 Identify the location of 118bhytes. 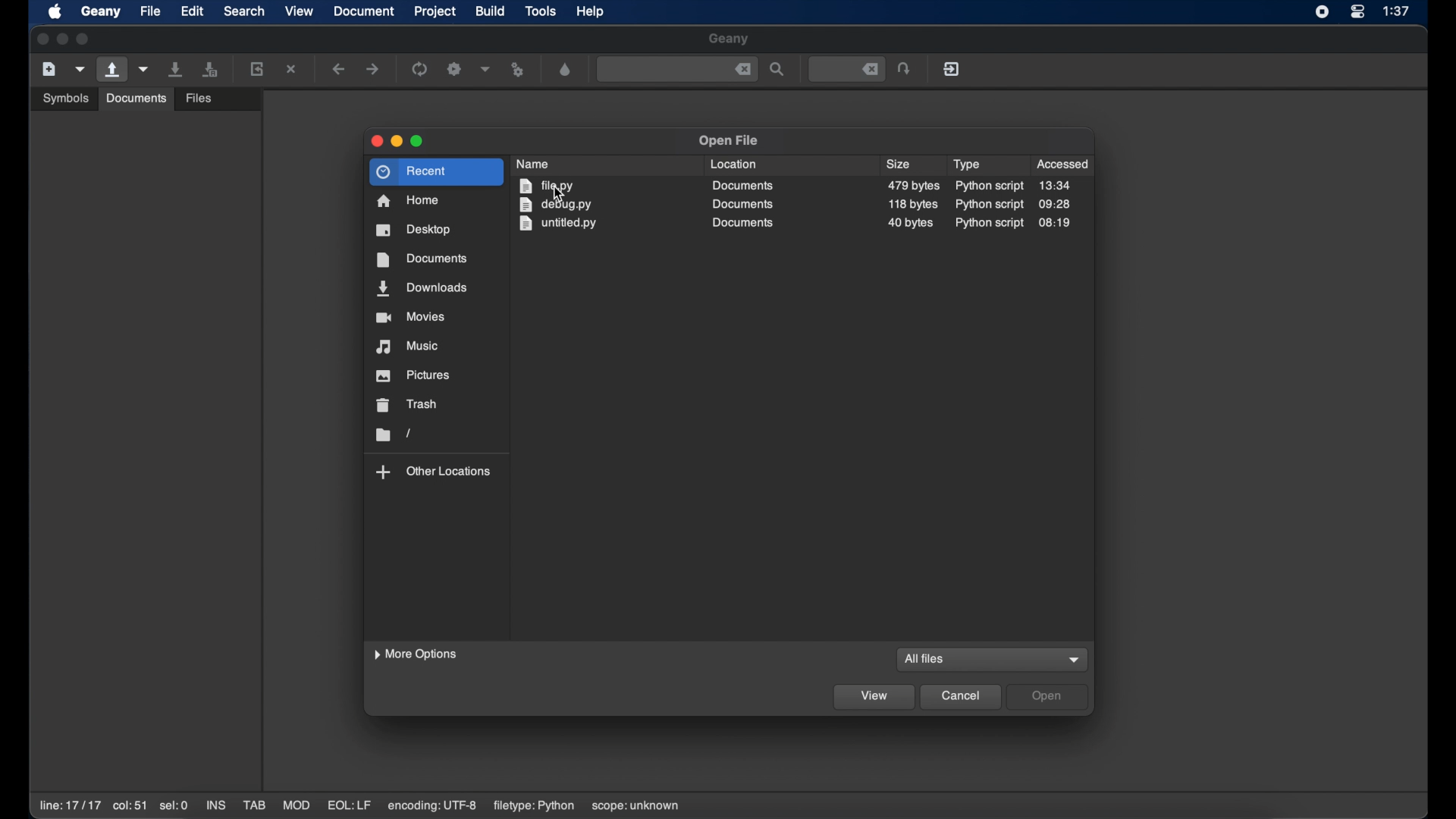
(915, 204).